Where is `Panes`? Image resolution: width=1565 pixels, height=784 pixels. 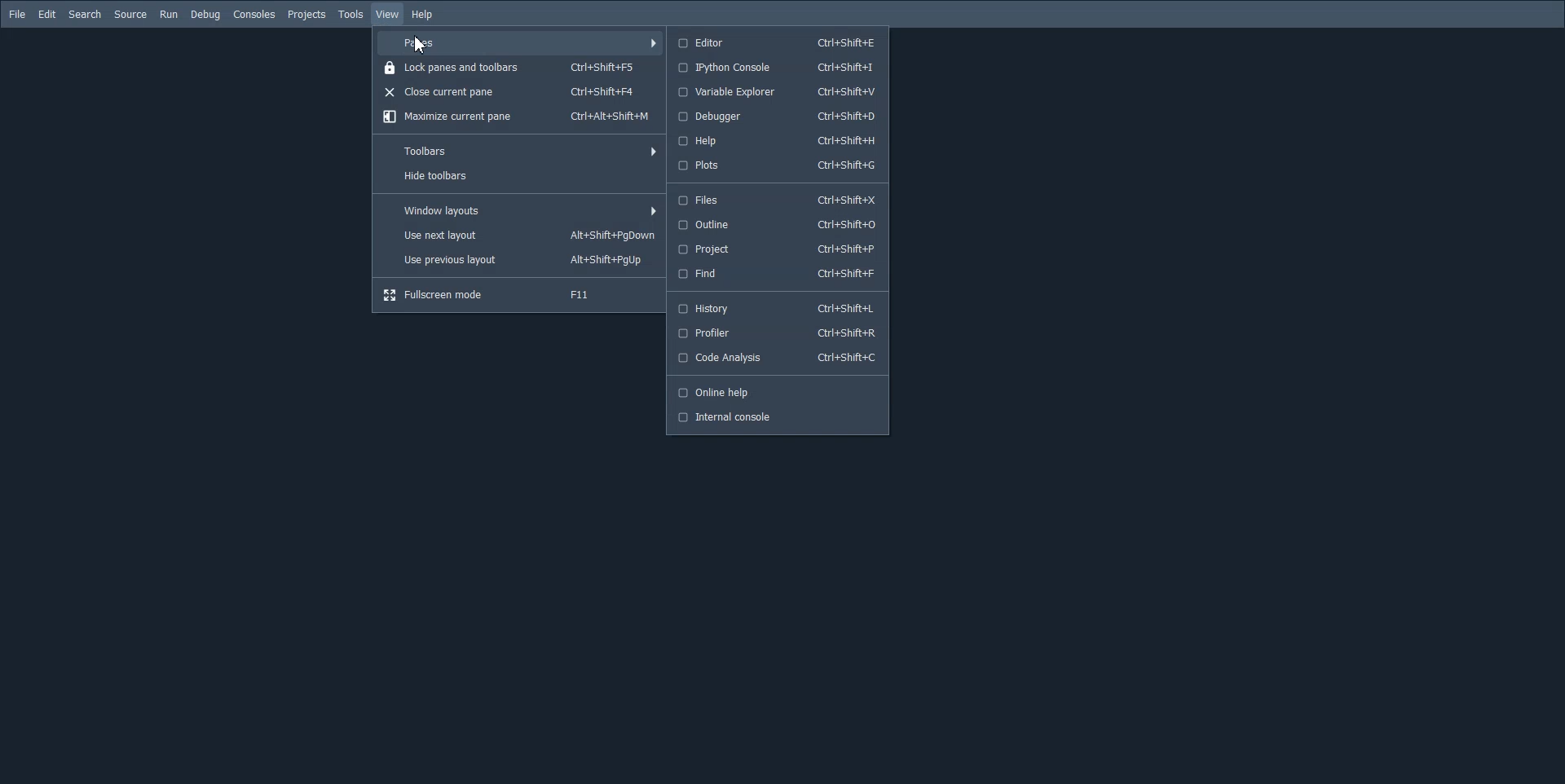 Panes is located at coordinates (518, 43).